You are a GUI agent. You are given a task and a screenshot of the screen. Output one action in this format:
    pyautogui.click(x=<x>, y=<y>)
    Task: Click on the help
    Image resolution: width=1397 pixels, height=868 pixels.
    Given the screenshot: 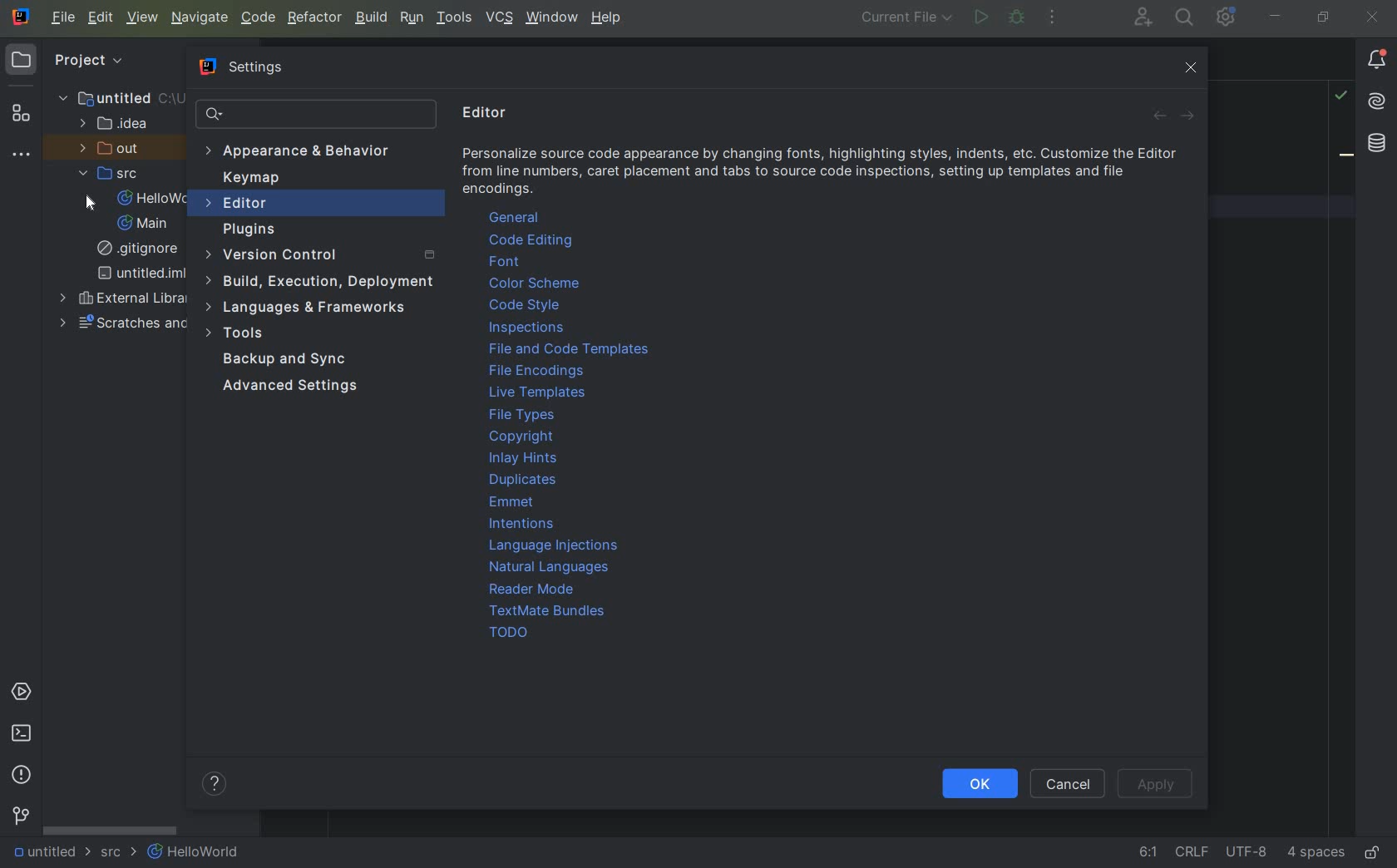 What is the action you would take?
    pyautogui.click(x=608, y=20)
    